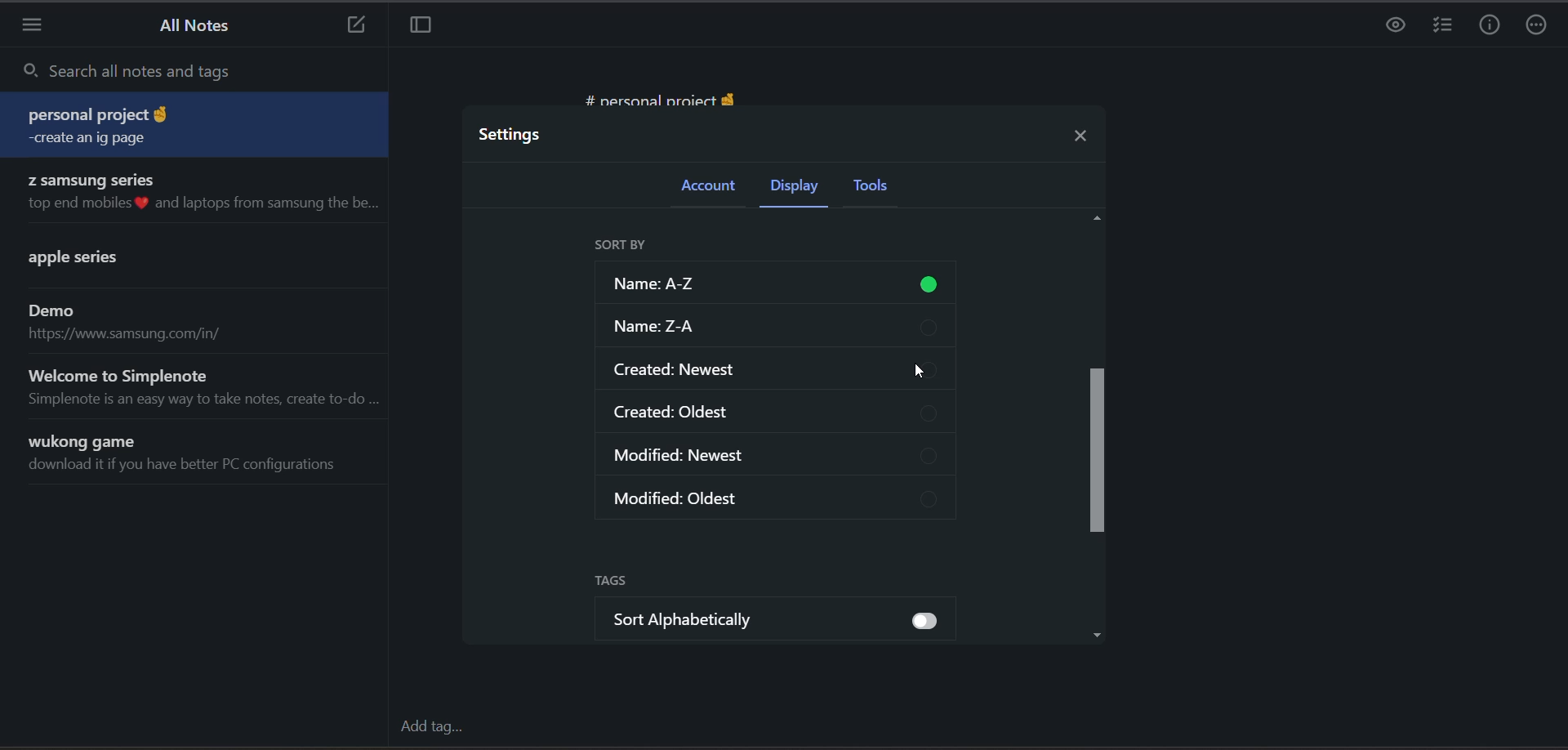 This screenshot has height=750, width=1568. I want to click on insert checklist, so click(1443, 26).